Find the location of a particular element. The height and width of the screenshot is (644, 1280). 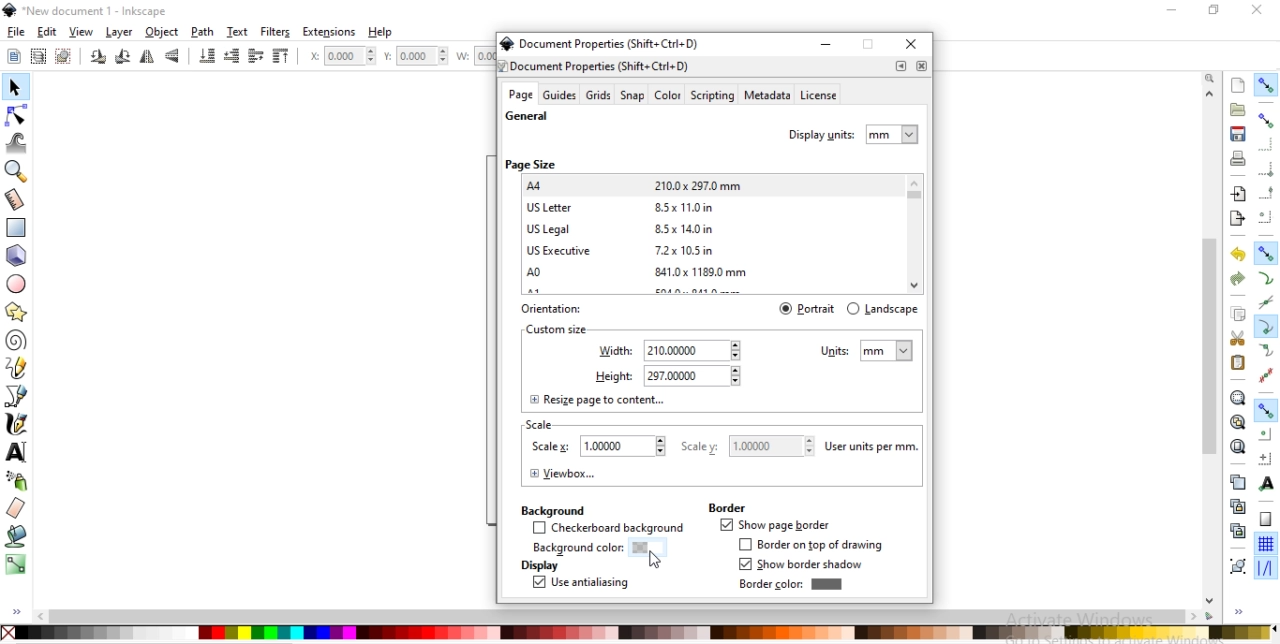

bordercolor is located at coordinates (790, 584).